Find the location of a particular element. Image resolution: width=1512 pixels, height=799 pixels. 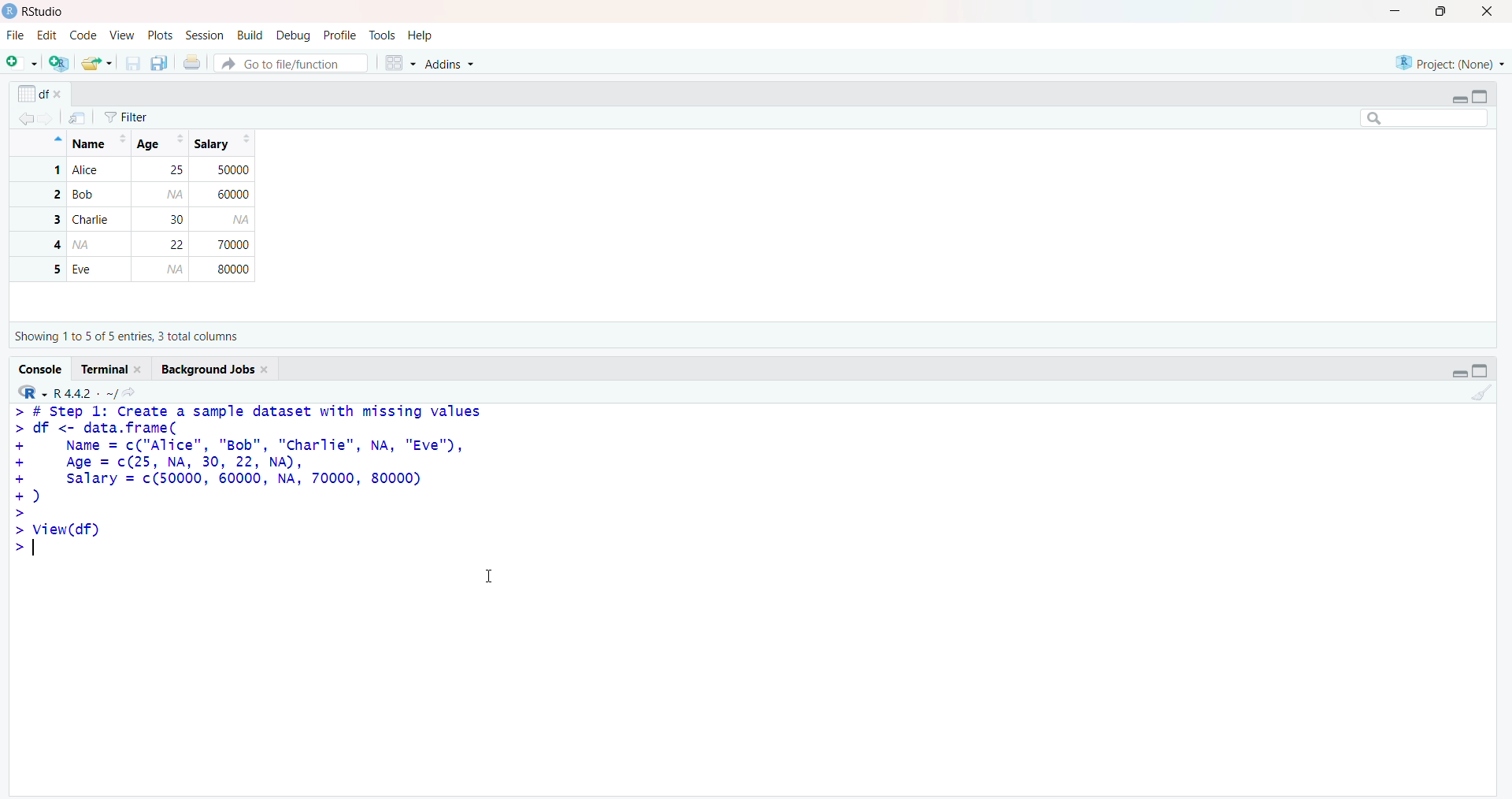

Showing 110 5 of 5 entries, 3 total columns. is located at coordinates (130, 336).